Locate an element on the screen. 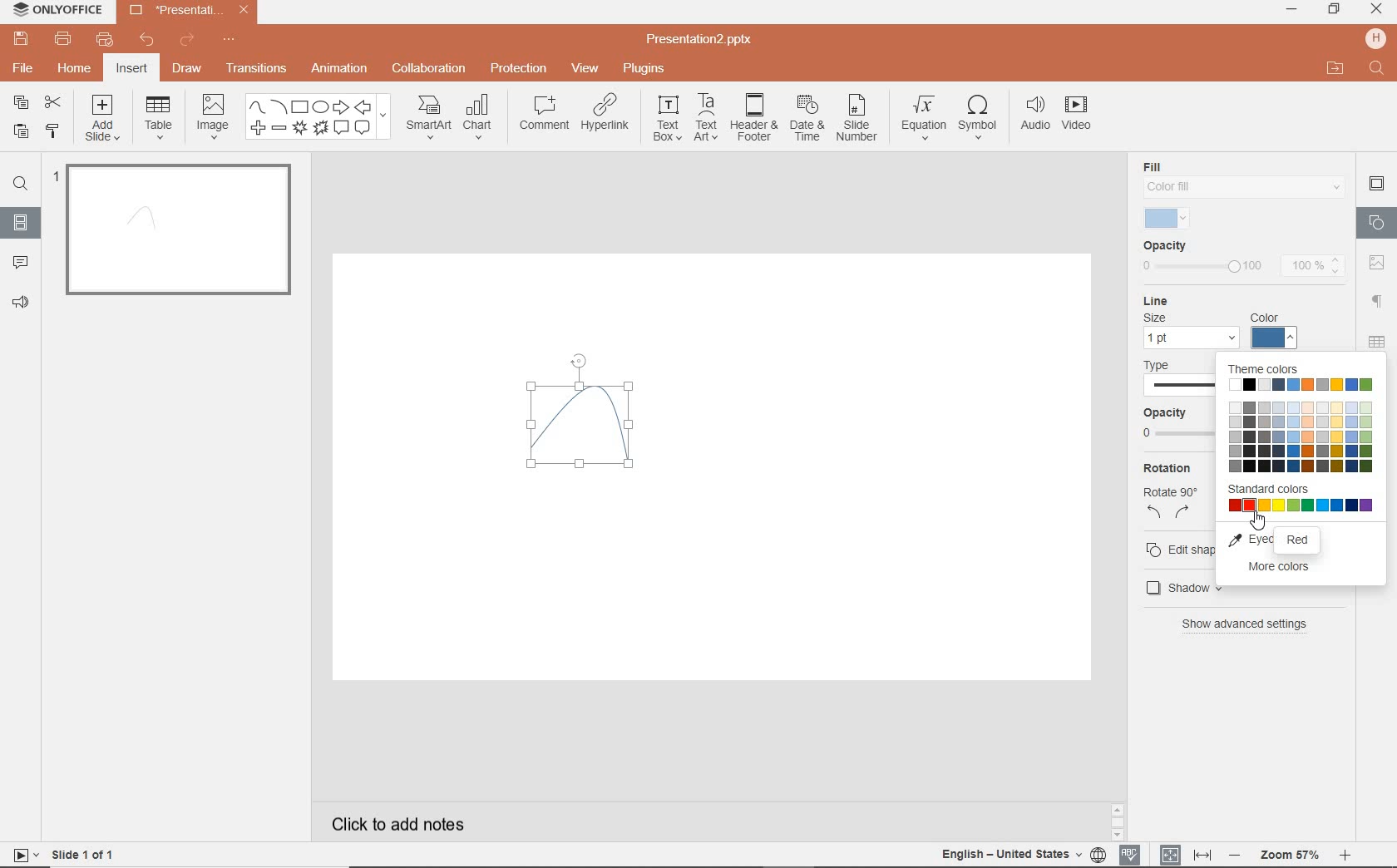  PARAGRAPH SETTINGS is located at coordinates (1375, 300).